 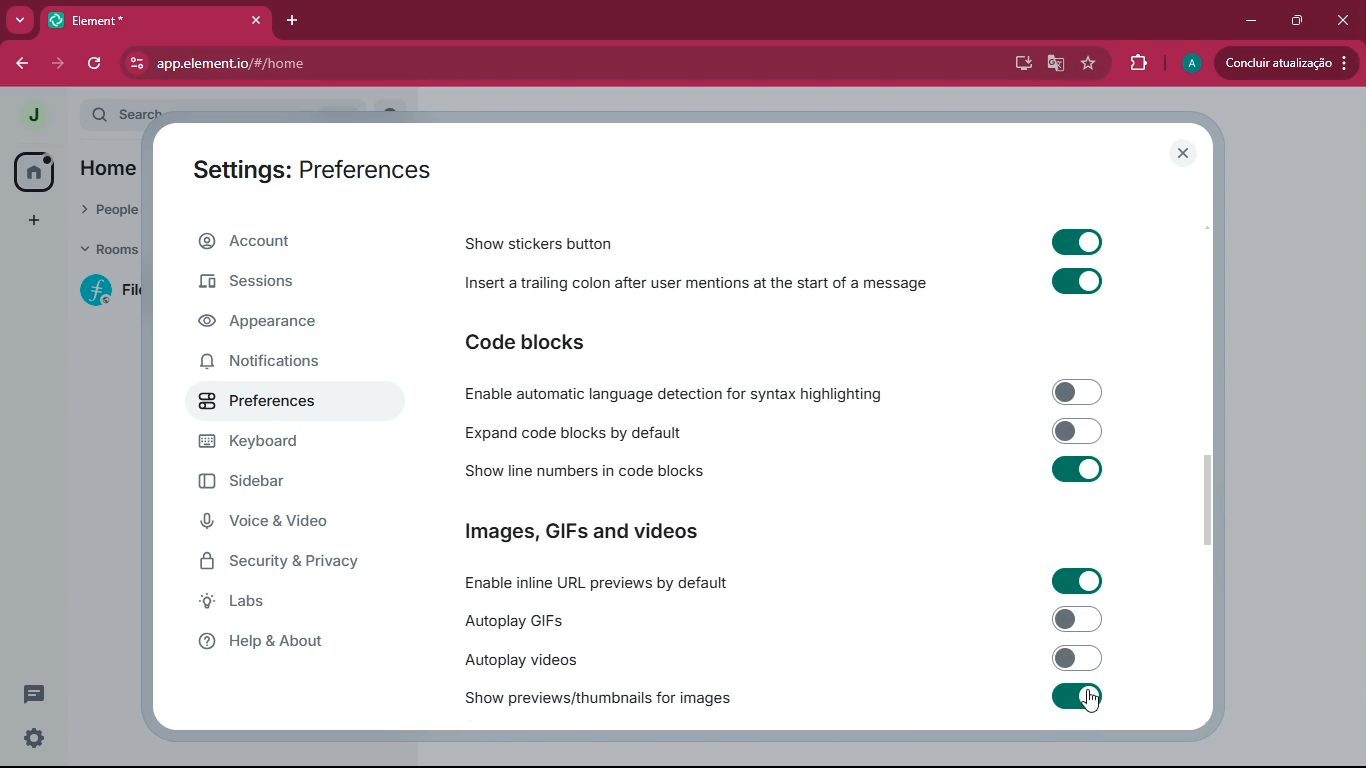 I want to click on desktop, so click(x=1018, y=65).